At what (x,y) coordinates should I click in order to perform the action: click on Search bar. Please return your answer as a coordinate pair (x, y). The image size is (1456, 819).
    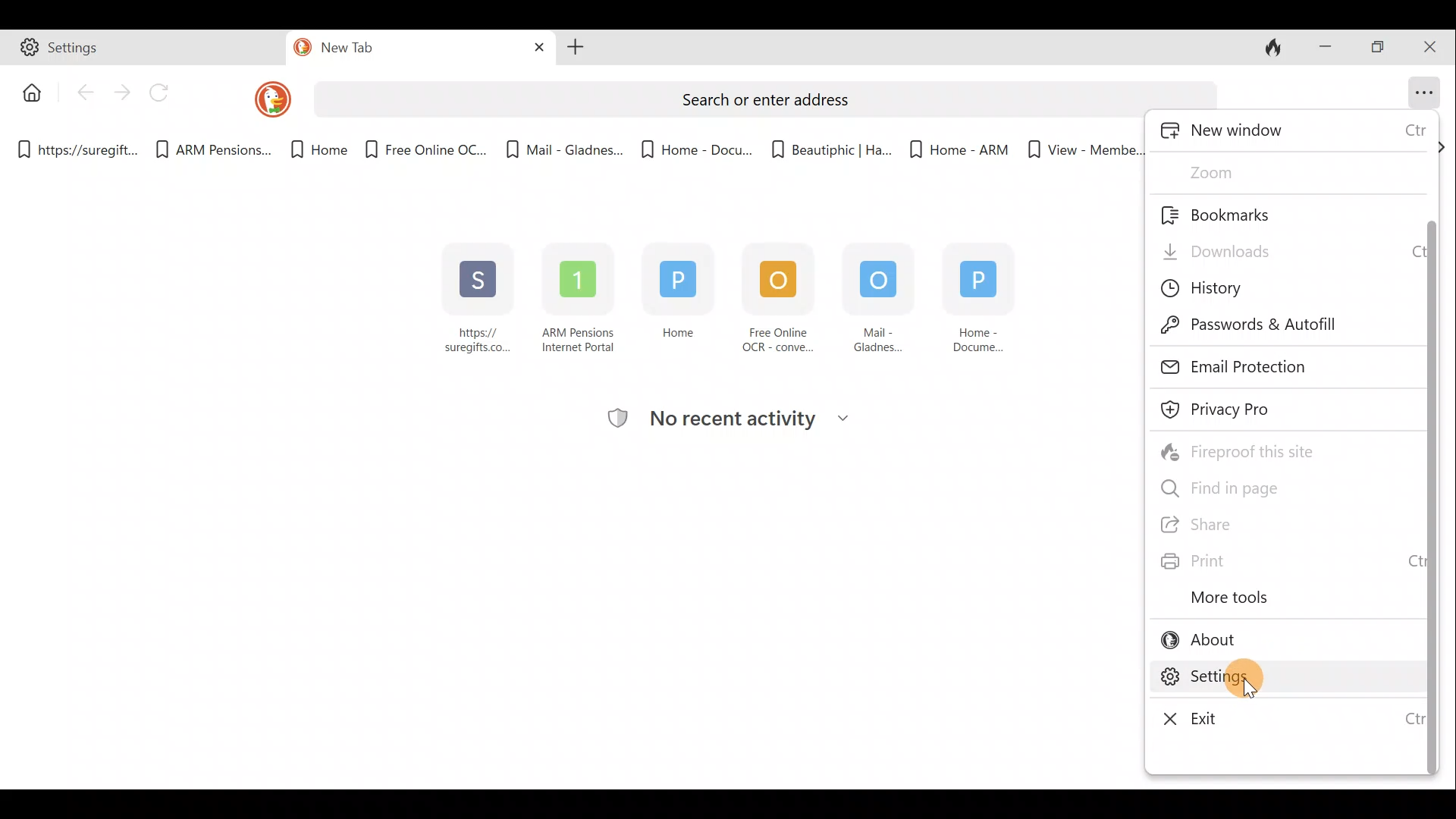
    Looking at the image, I should click on (767, 99).